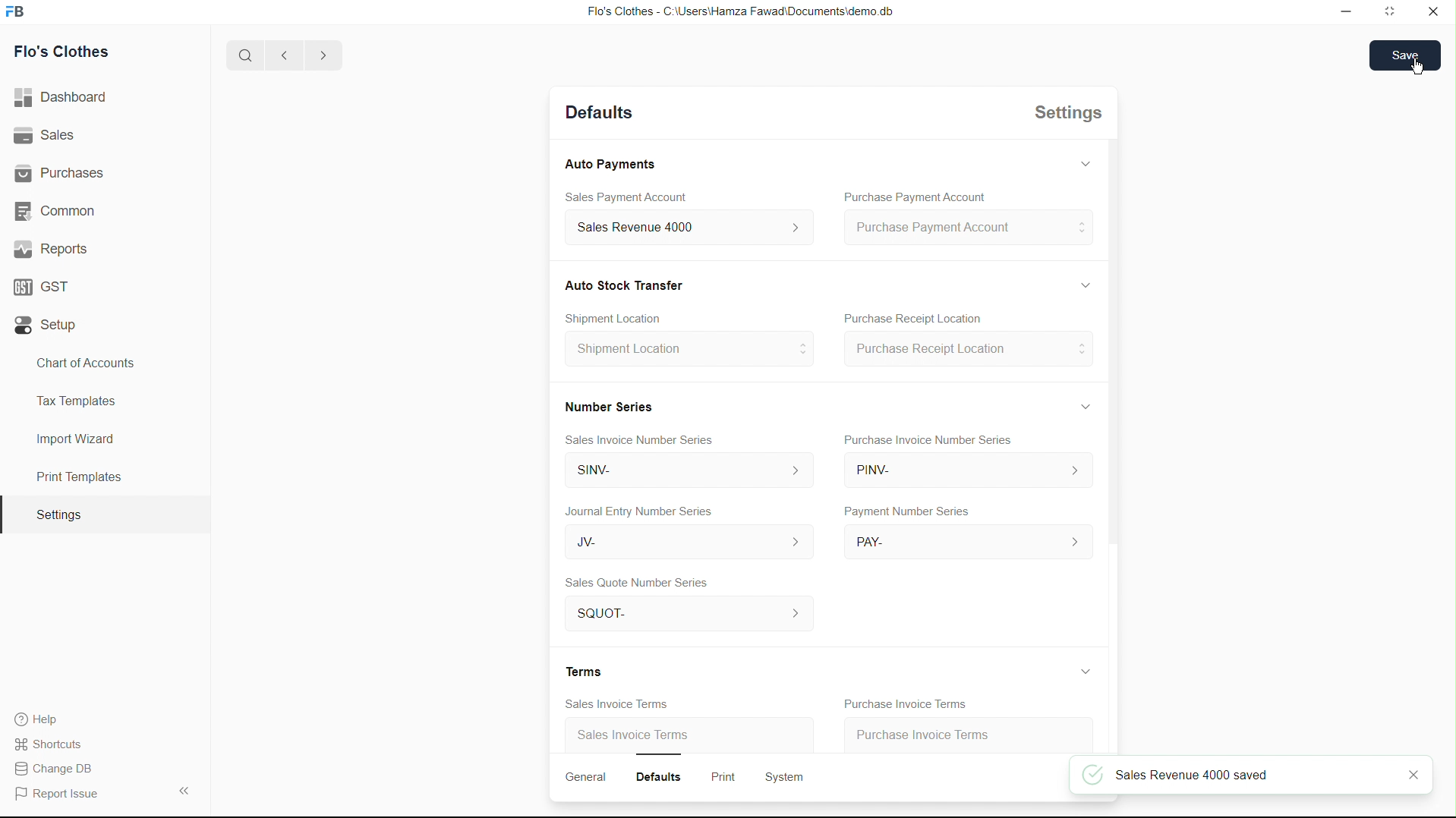 The image size is (1456, 818). I want to click on Full screen, so click(1391, 13).